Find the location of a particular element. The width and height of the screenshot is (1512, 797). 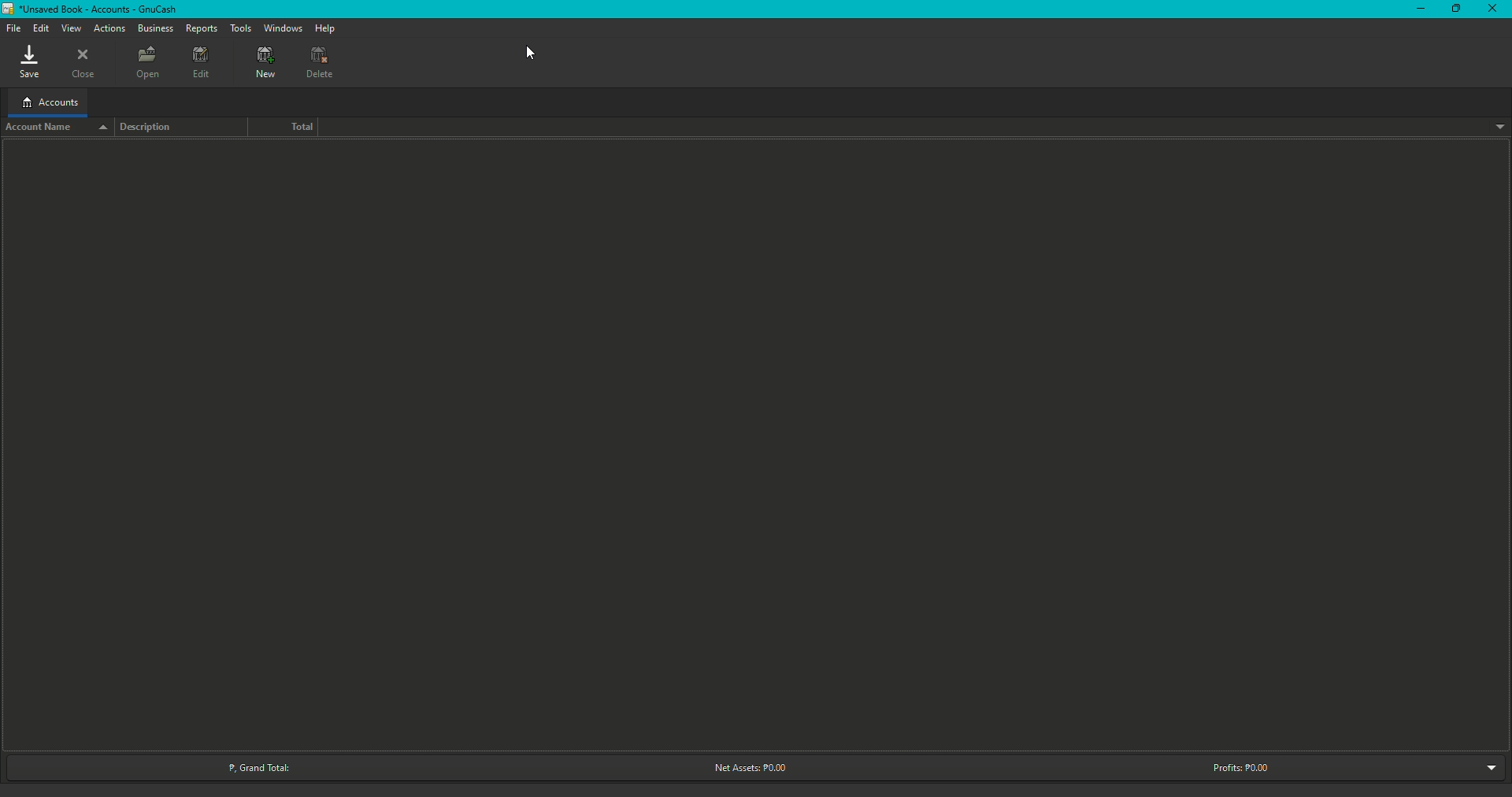

Edit is located at coordinates (204, 62).